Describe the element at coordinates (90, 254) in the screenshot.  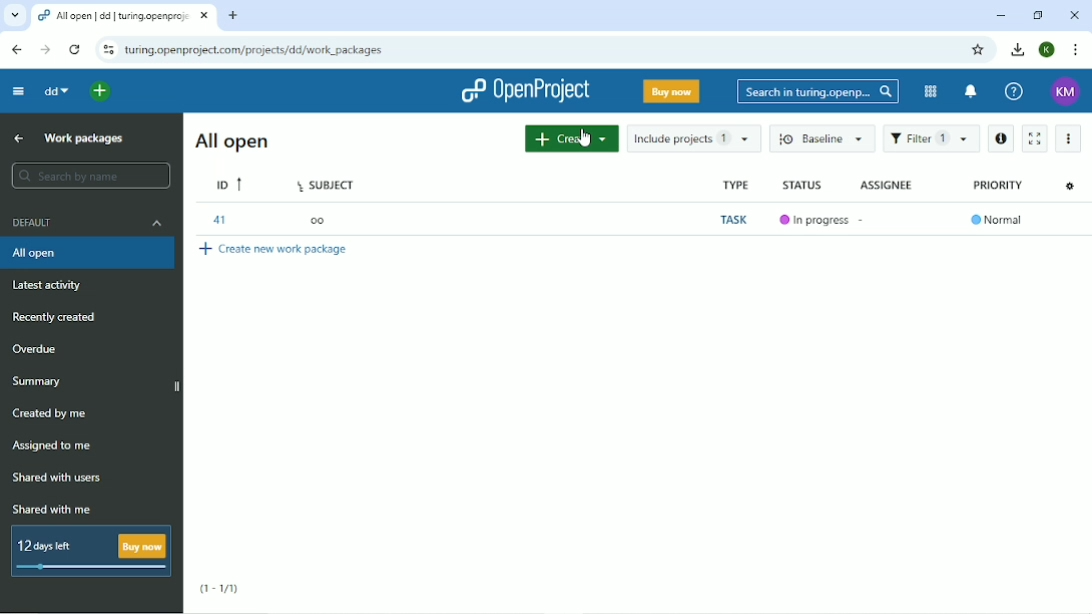
I see `All open` at that location.